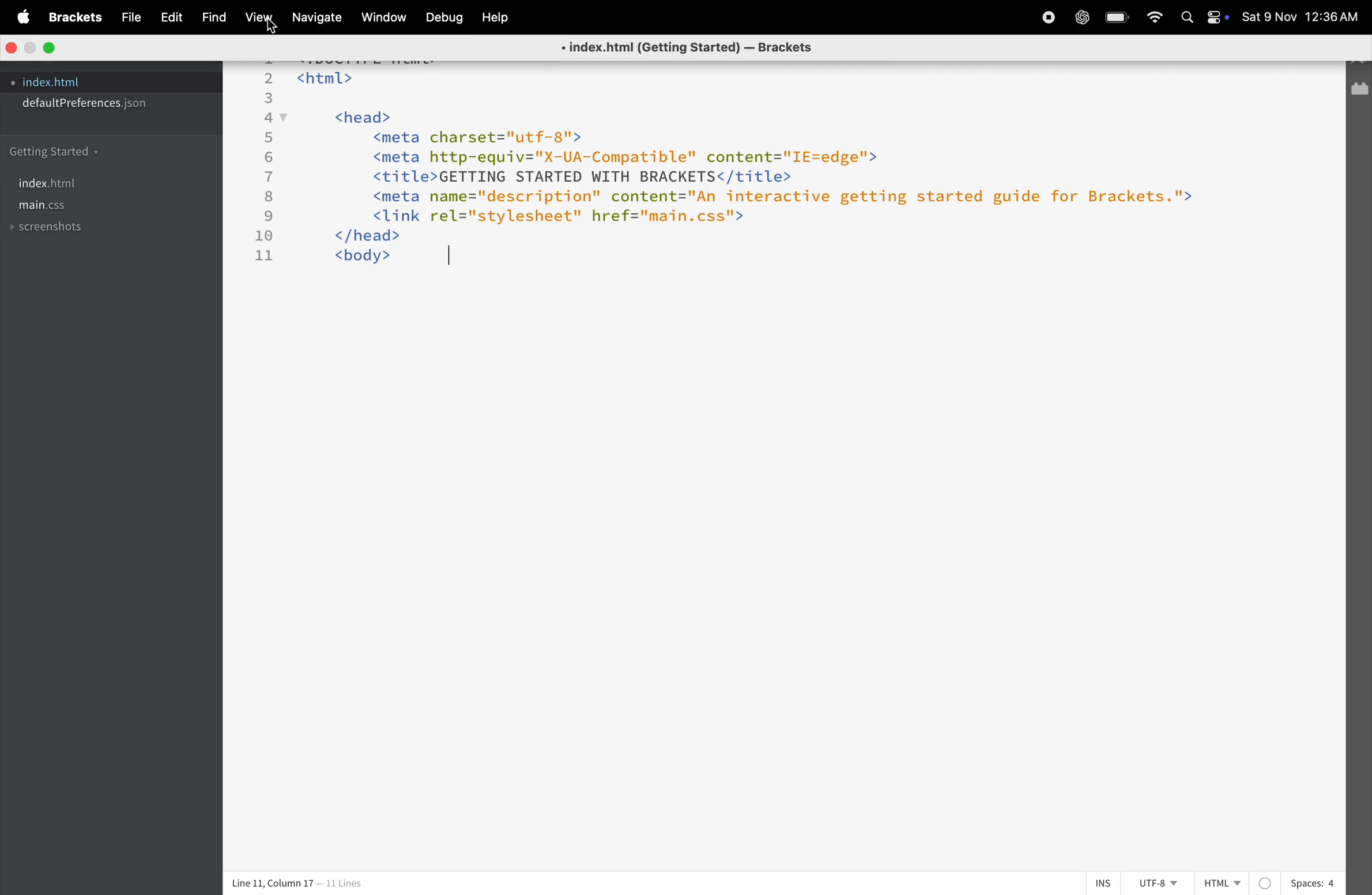 The height and width of the screenshot is (895, 1372). I want to click on help, so click(493, 19).